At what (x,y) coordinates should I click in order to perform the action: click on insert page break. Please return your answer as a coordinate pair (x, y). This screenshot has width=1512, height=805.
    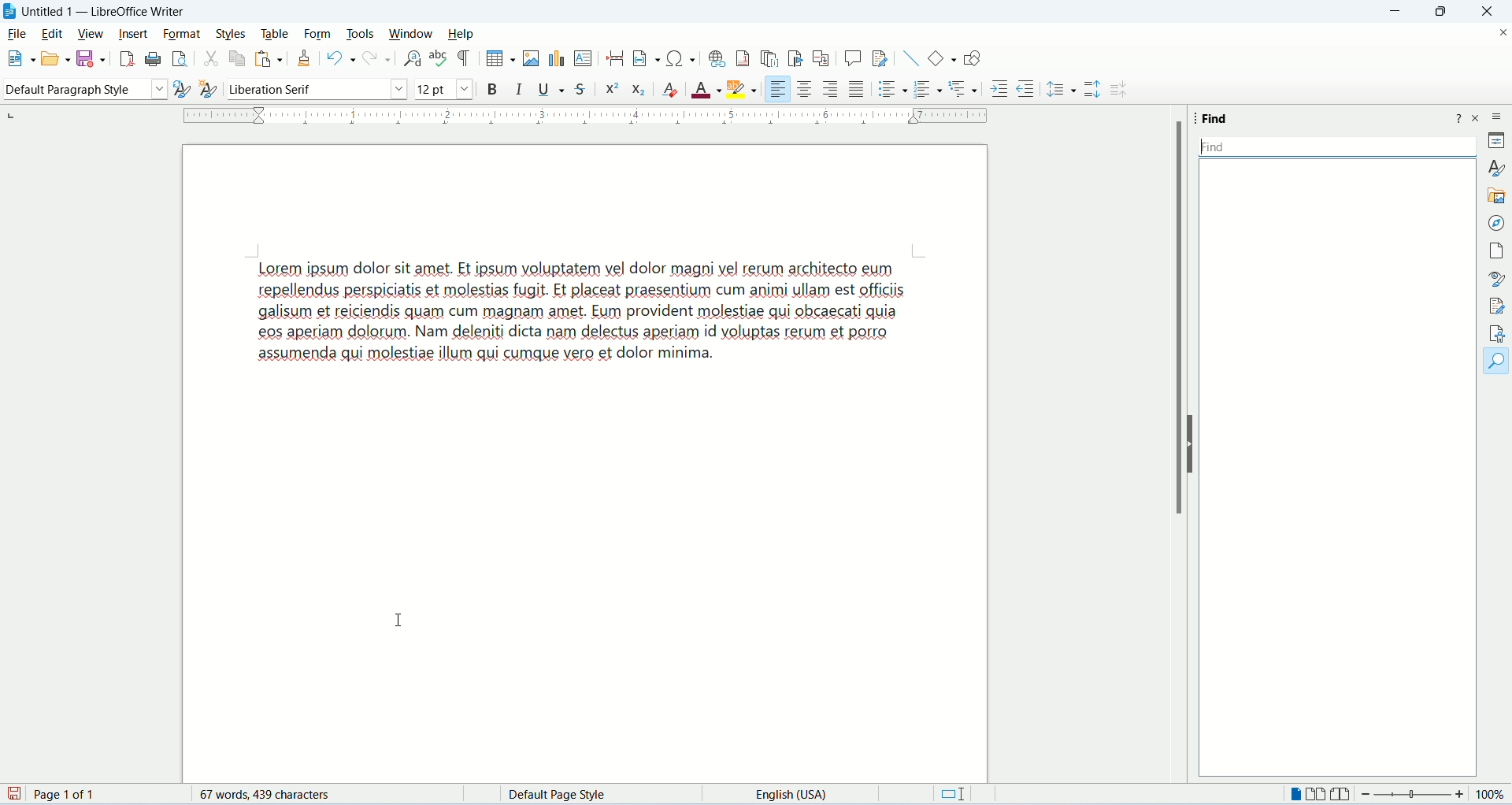
    Looking at the image, I should click on (613, 60).